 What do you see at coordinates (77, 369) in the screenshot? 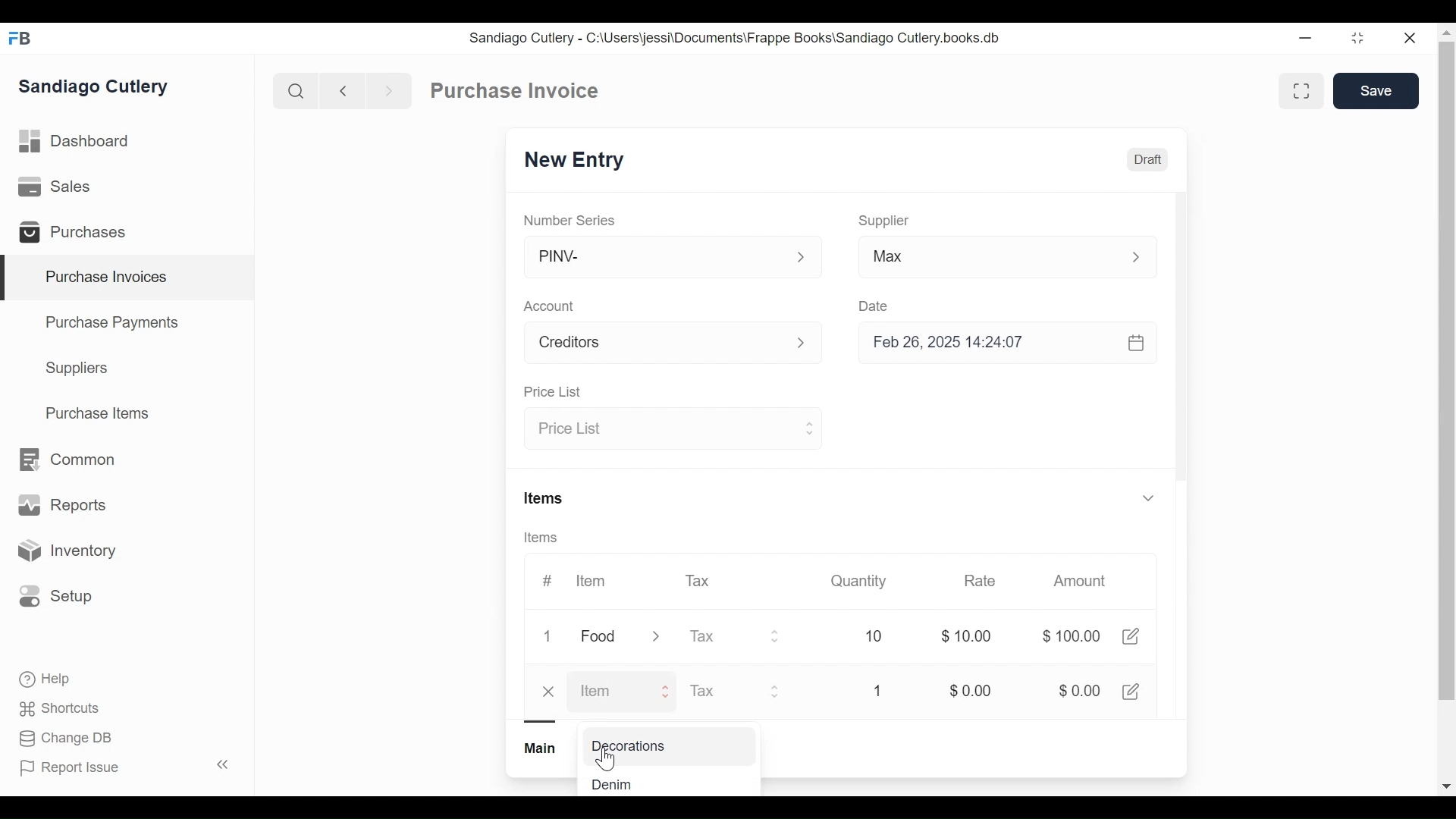
I see `Suppliers` at bounding box center [77, 369].